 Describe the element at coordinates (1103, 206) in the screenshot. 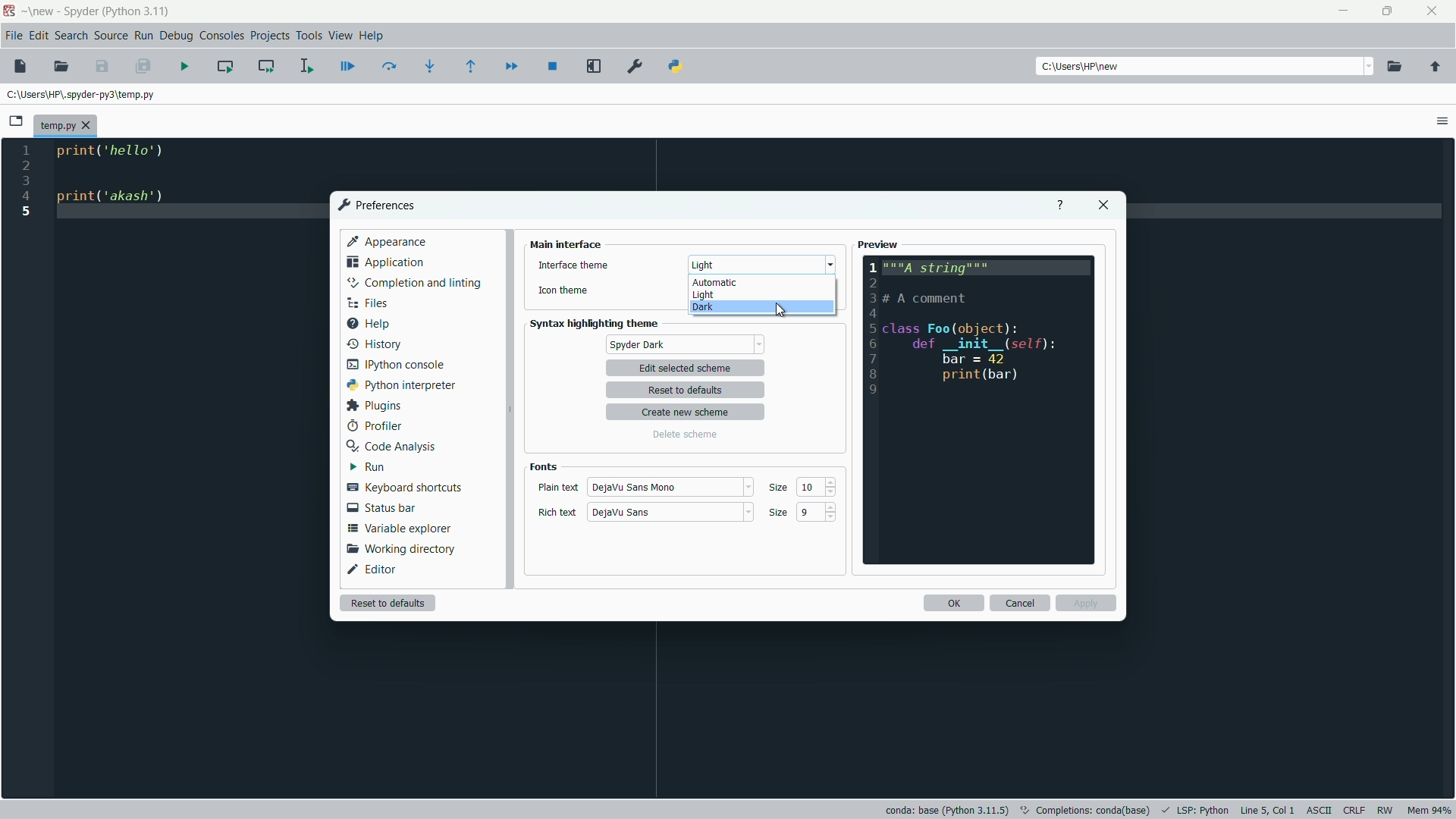

I see `close` at that location.